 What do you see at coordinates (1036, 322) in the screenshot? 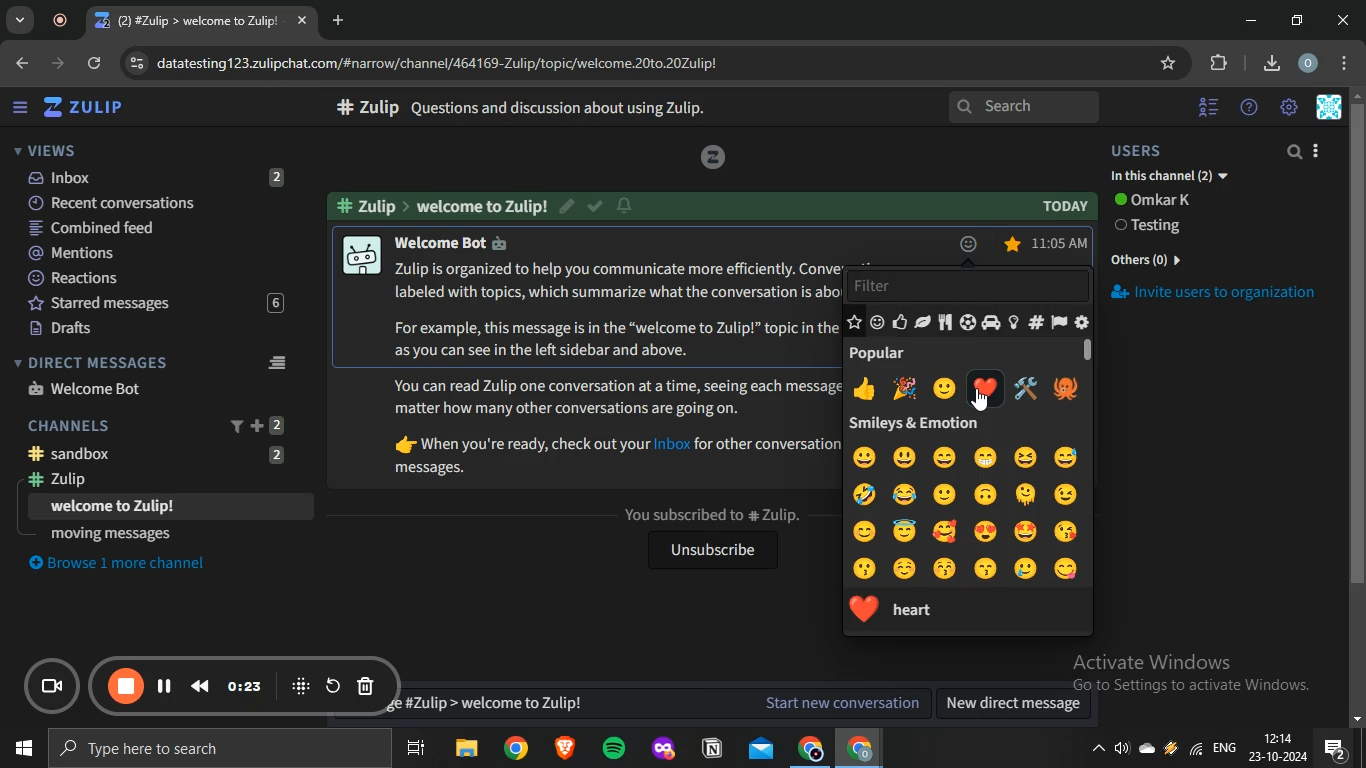
I see `symbols` at bounding box center [1036, 322].